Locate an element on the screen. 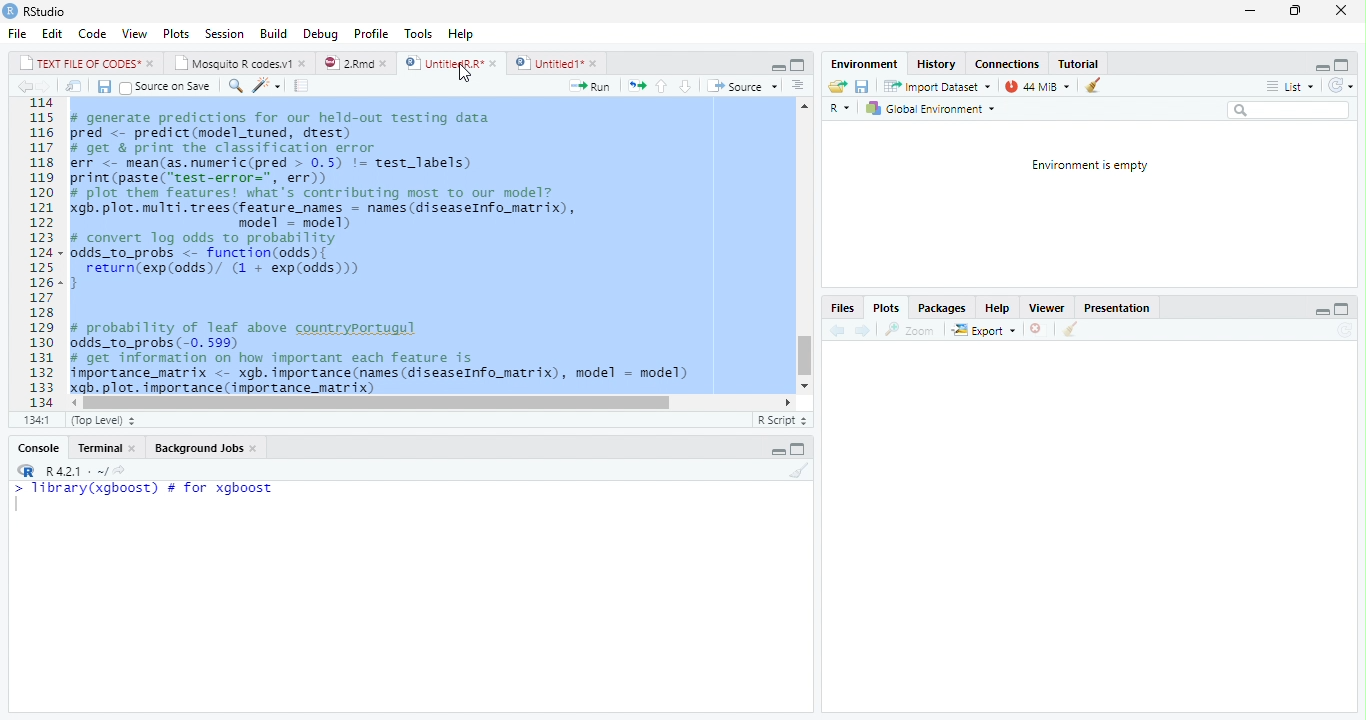 This screenshot has height=720, width=1366. History is located at coordinates (938, 64).